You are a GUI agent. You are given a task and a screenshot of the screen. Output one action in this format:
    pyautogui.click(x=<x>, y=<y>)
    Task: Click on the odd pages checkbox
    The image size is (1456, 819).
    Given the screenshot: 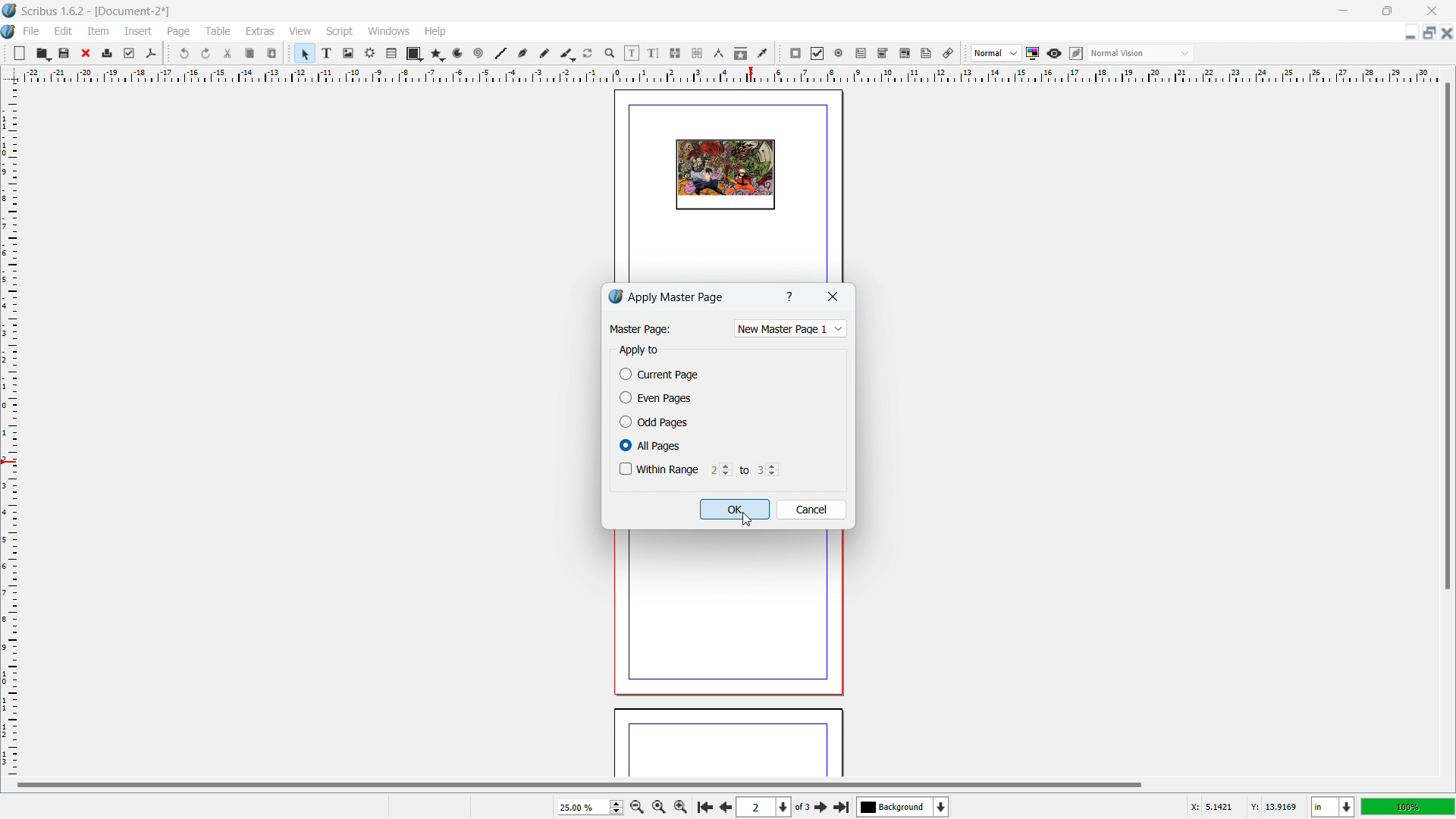 What is the action you would take?
    pyautogui.click(x=654, y=422)
    